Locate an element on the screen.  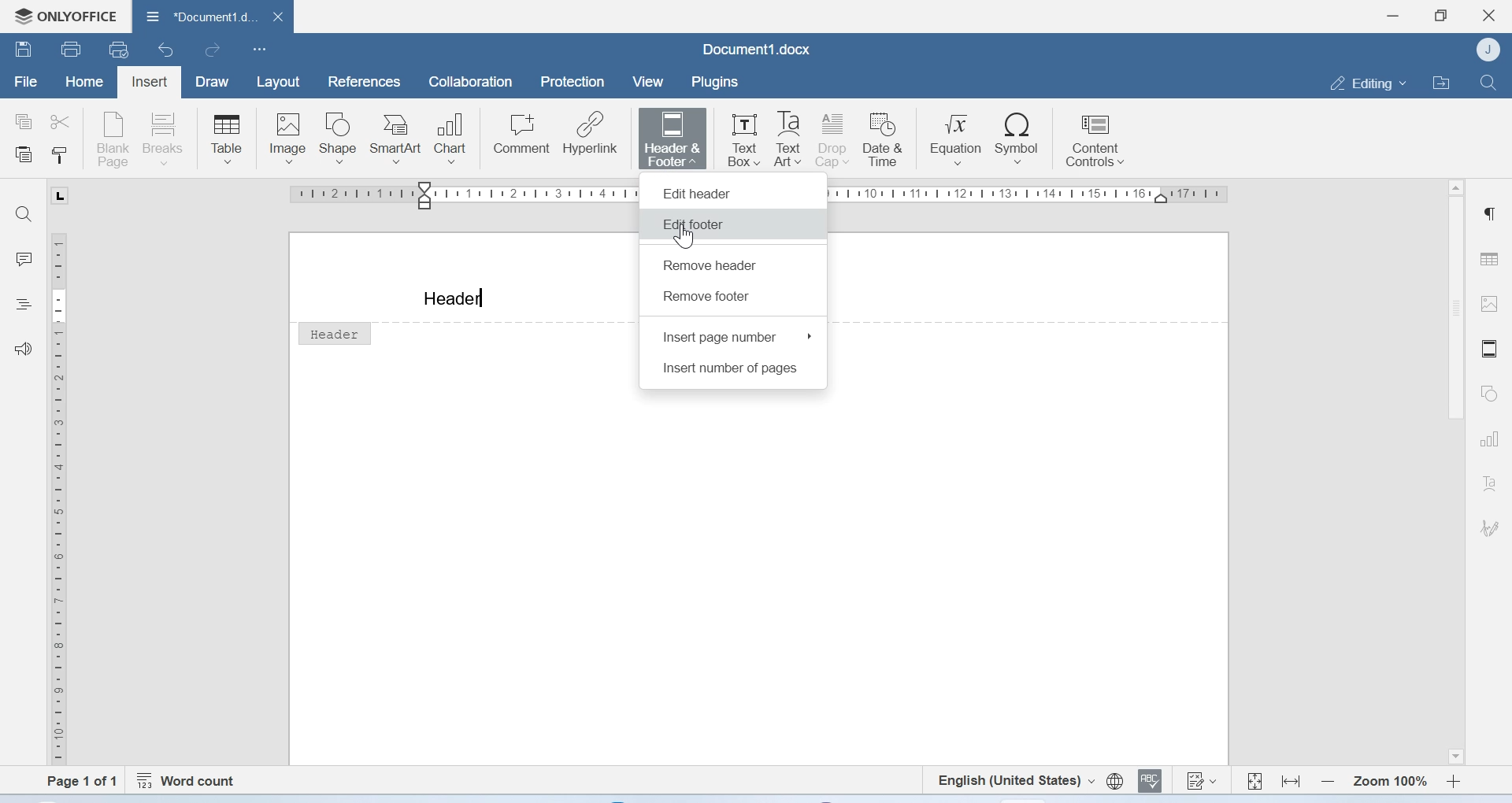
Shape is located at coordinates (340, 138).